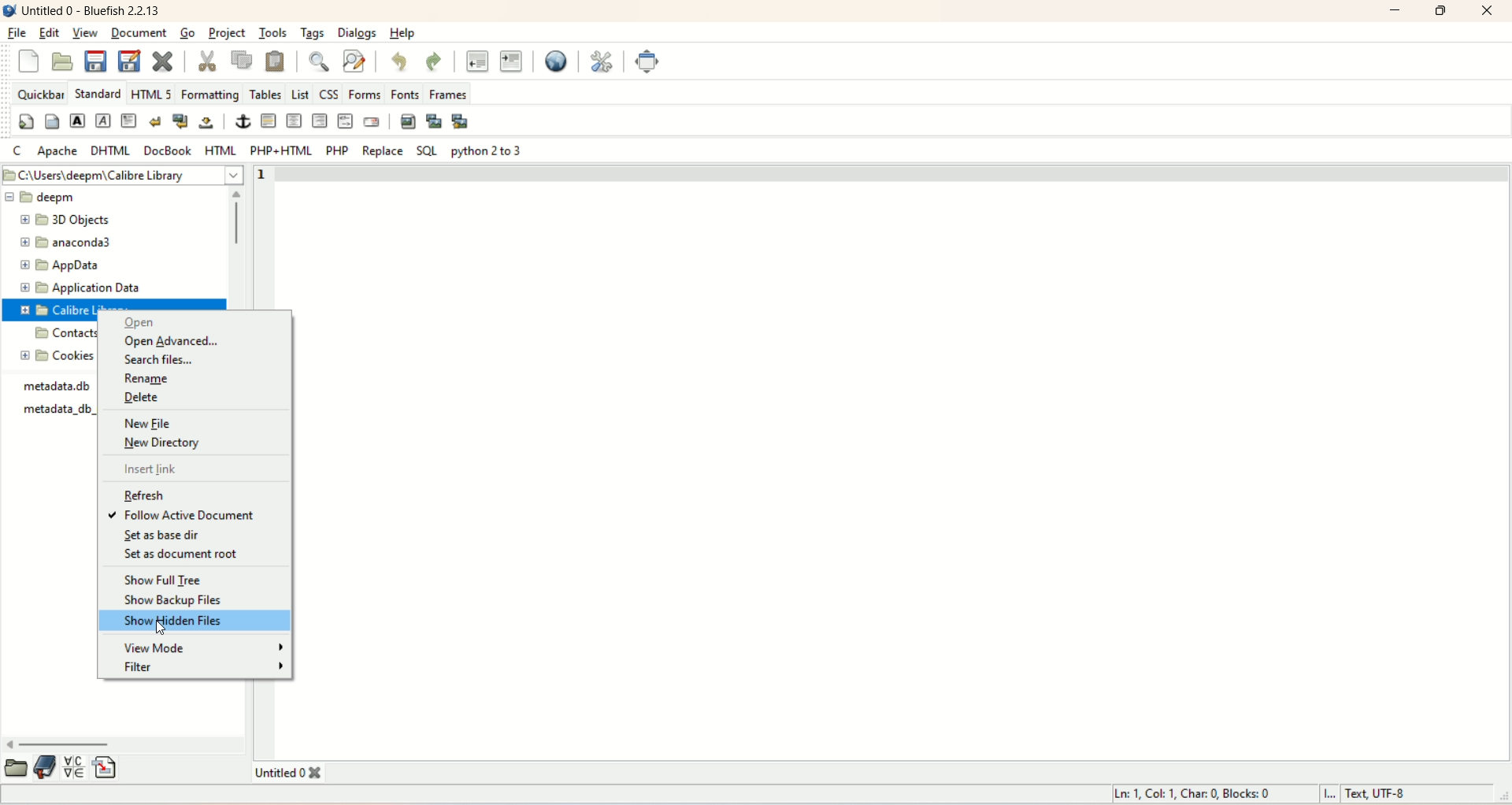 This screenshot has height=805, width=1512. What do you see at coordinates (309, 35) in the screenshot?
I see `tags` at bounding box center [309, 35].